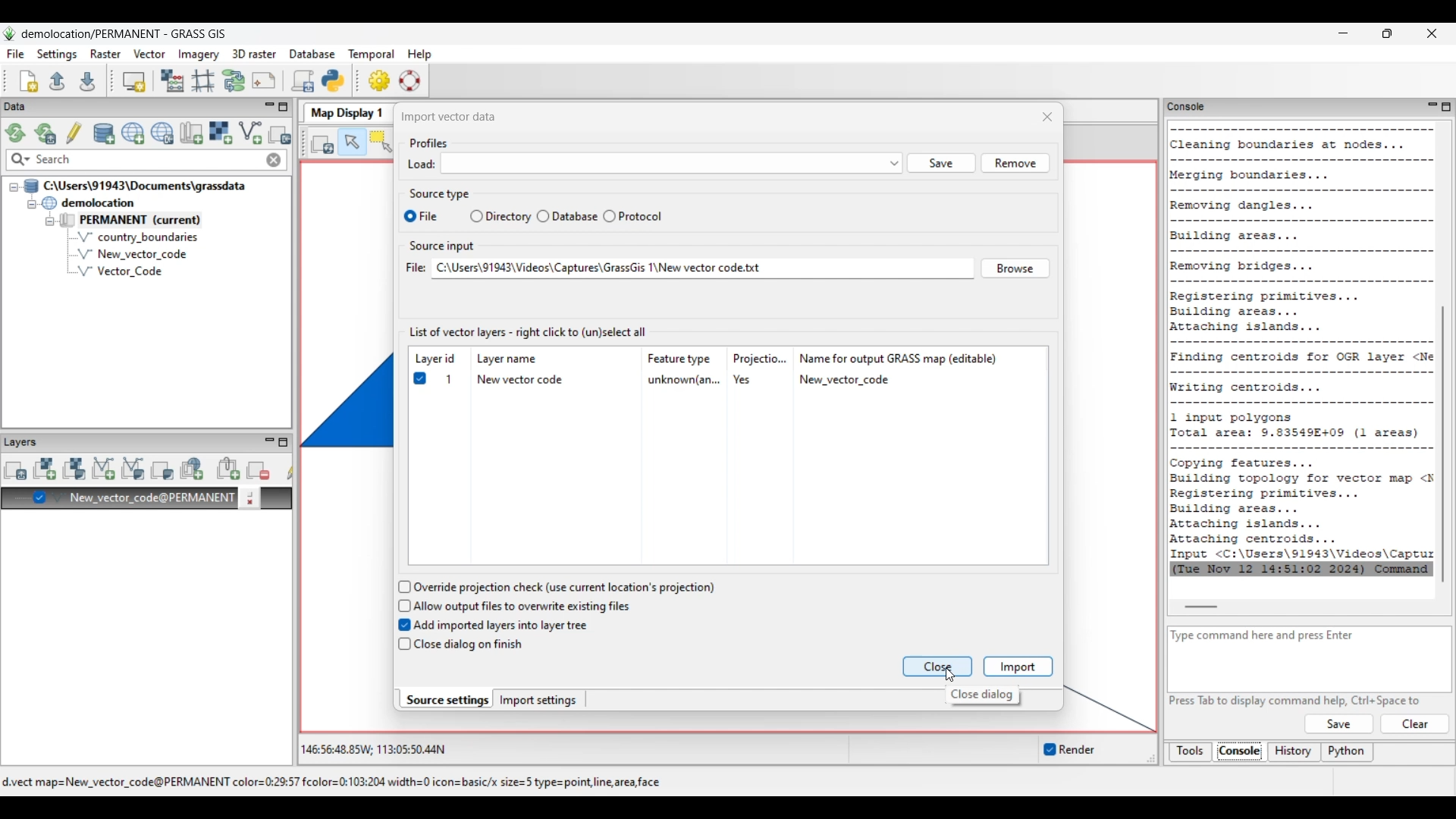 The width and height of the screenshot is (1456, 819). What do you see at coordinates (88, 202) in the screenshot?
I see `Double click to collapse demolocation` at bounding box center [88, 202].